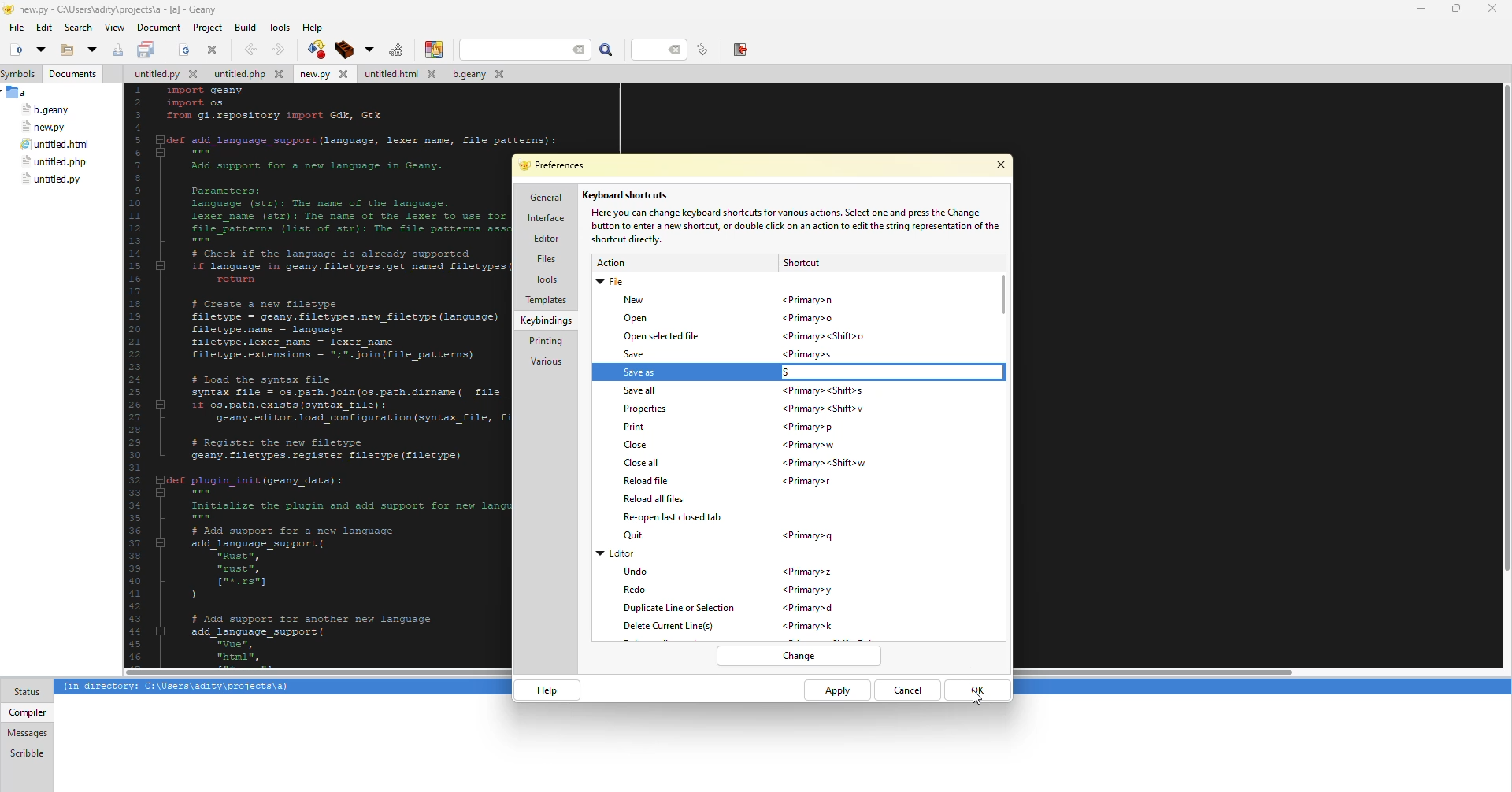  Describe the element at coordinates (276, 50) in the screenshot. I see `forward` at that location.